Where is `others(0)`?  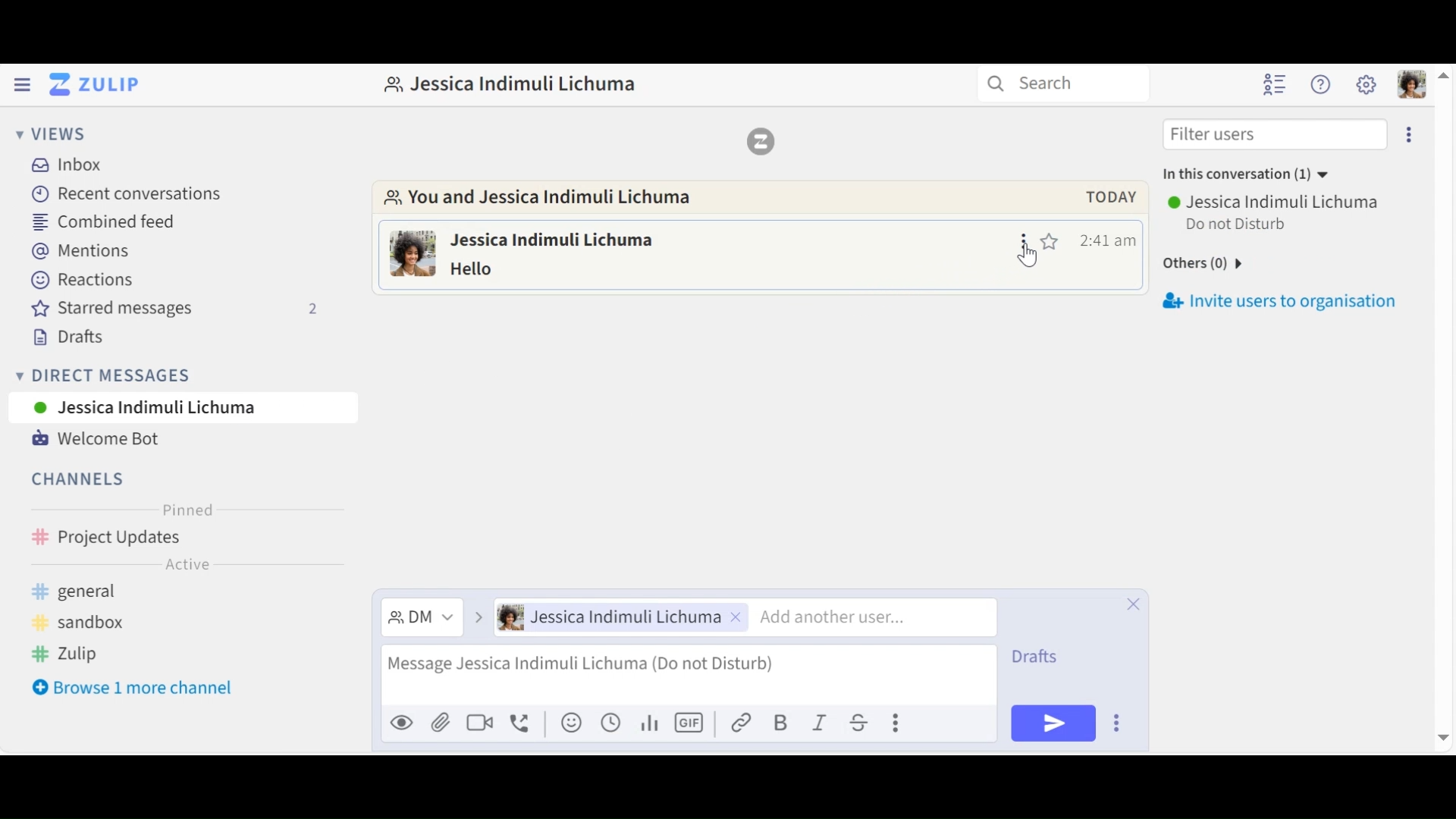 others(0) is located at coordinates (1222, 267).